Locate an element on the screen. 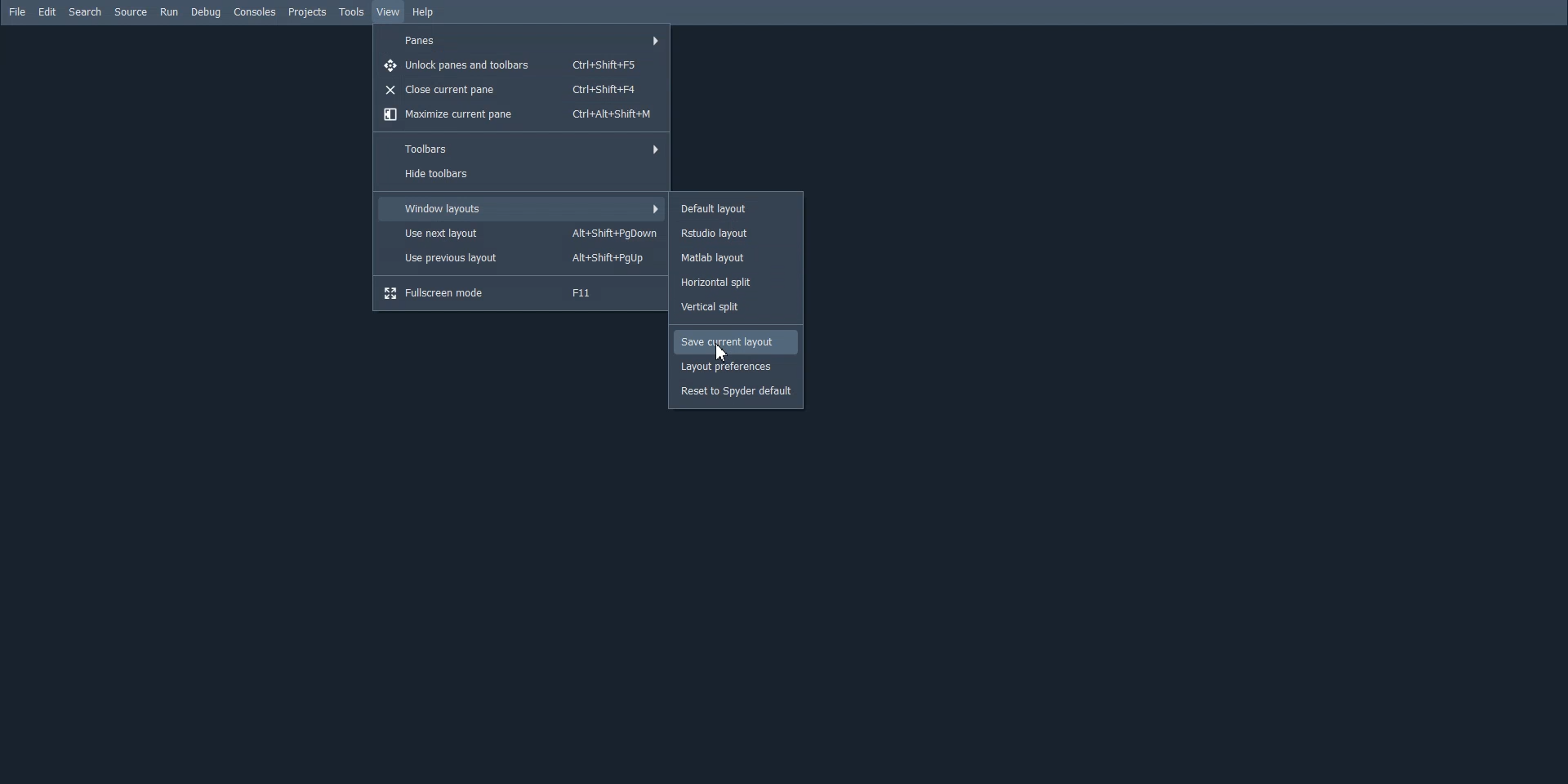  Run is located at coordinates (169, 11).